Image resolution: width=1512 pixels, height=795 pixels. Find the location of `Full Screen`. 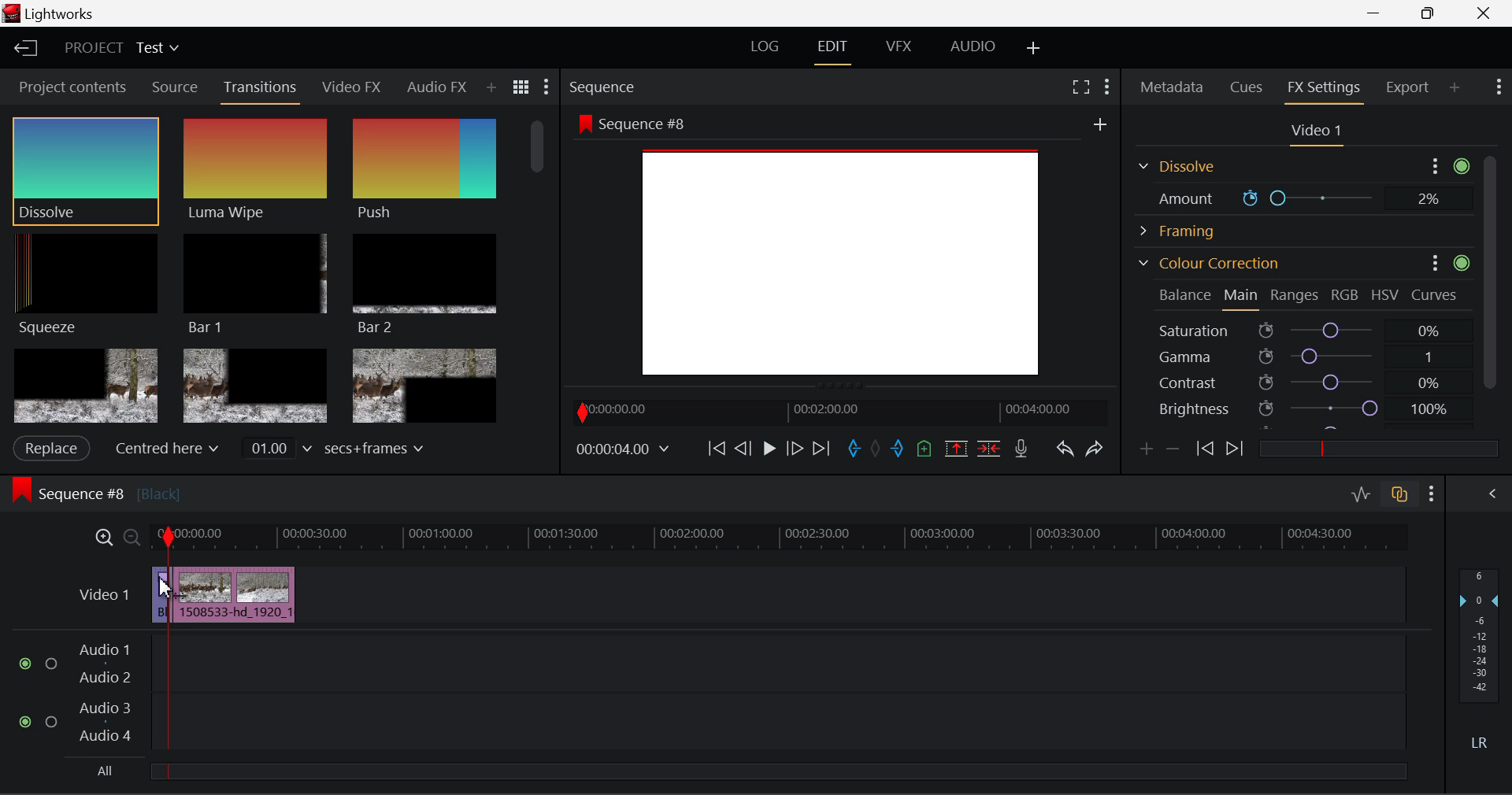

Full Screen is located at coordinates (1080, 86).